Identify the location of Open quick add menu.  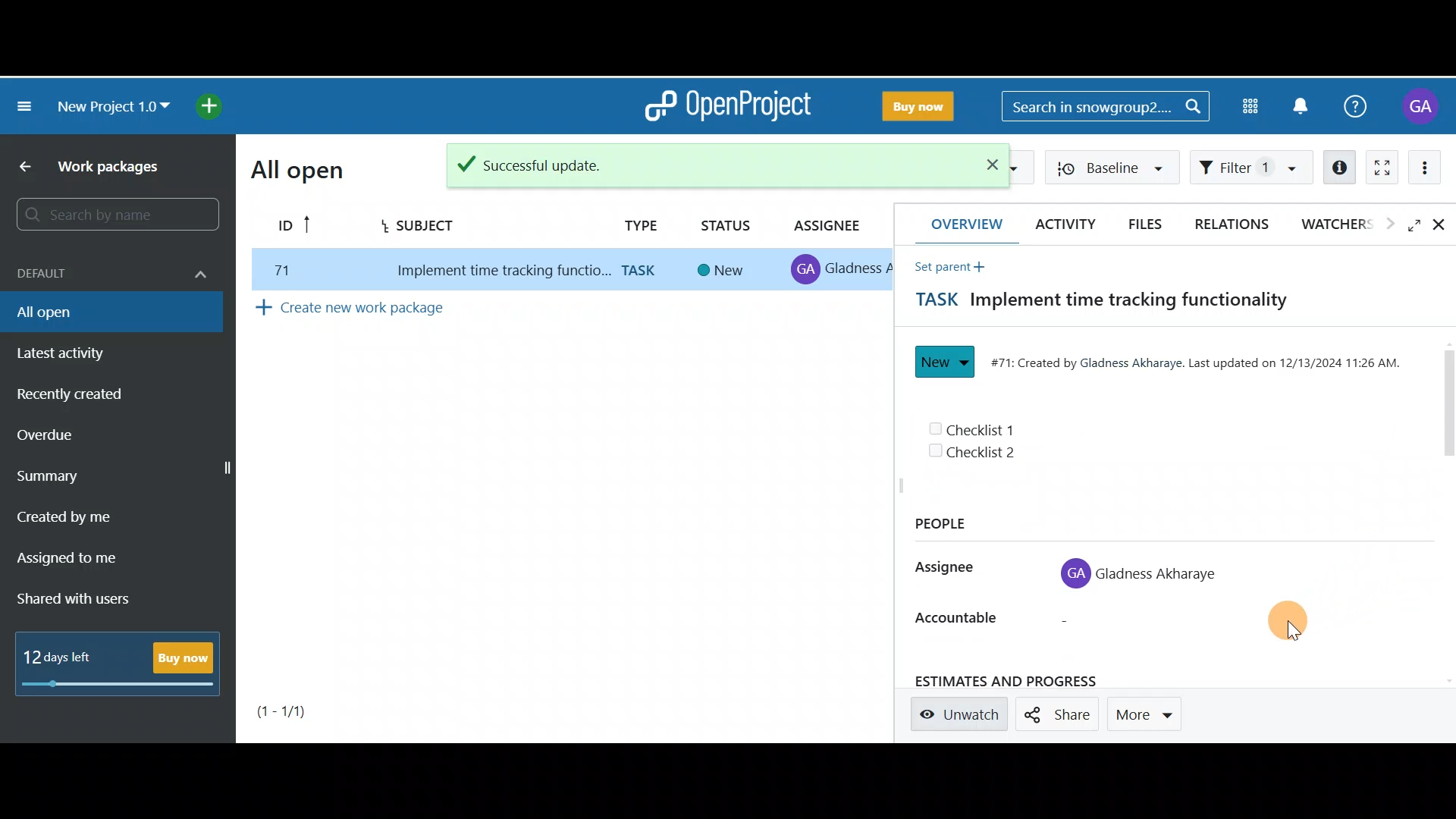
(209, 104).